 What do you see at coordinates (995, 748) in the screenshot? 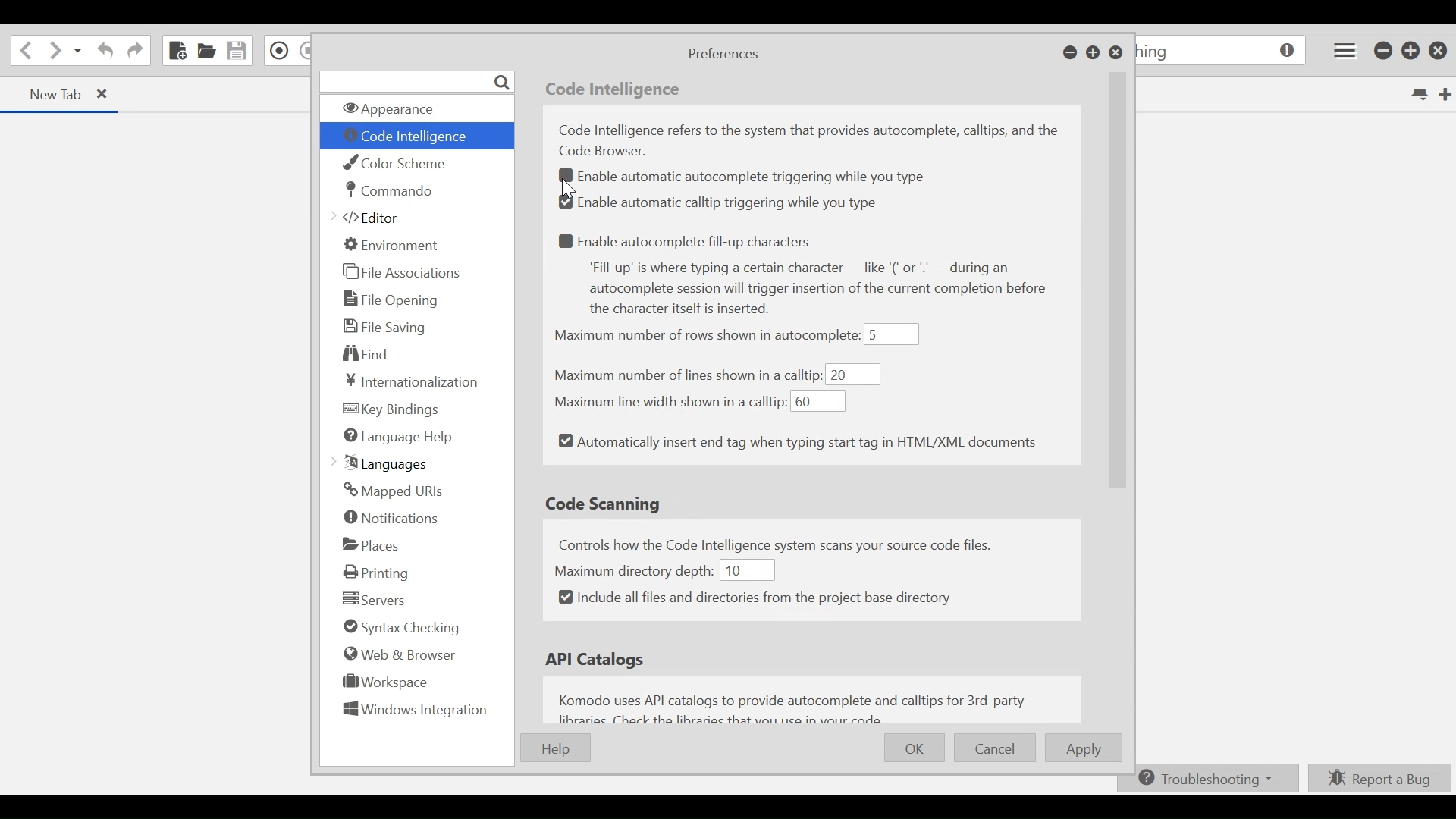
I see `Cancel` at bounding box center [995, 748].